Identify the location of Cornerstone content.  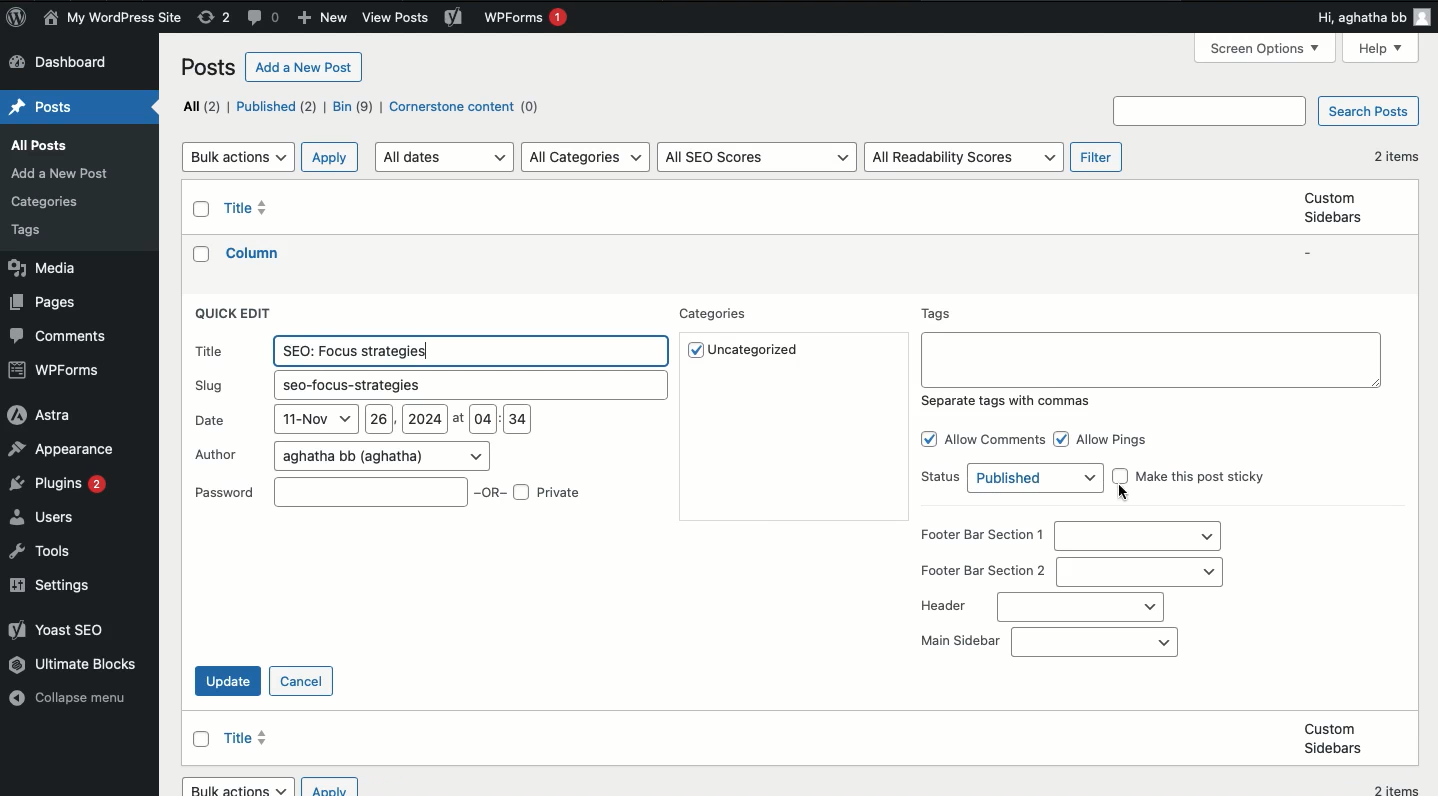
(468, 108).